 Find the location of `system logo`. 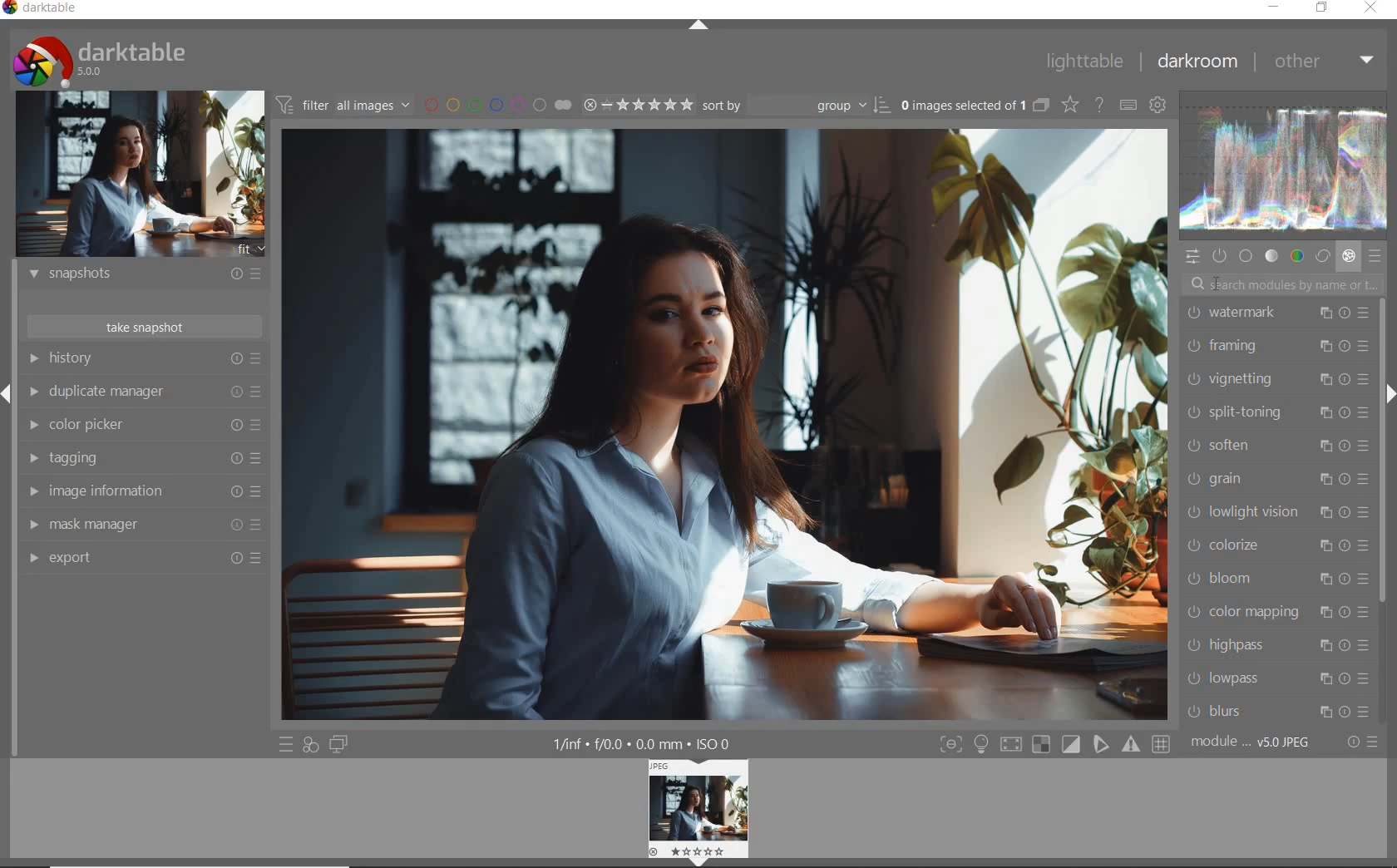

system logo is located at coordinates (101, 61).